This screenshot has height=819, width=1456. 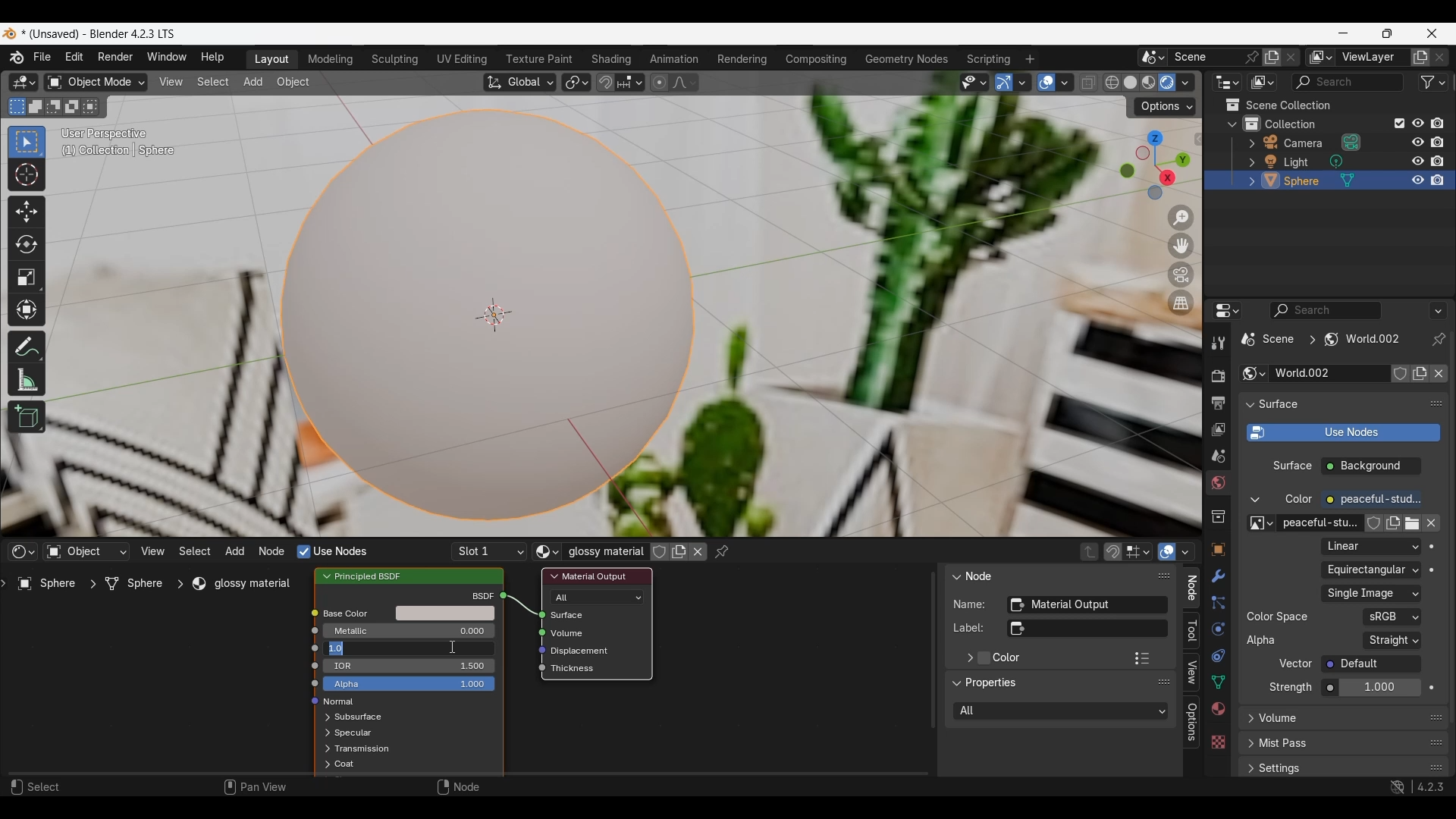 What do you see at coordinates (554, 576) in the screenshot?
I see `Collapse Material output` at bounding box center [554, 576].